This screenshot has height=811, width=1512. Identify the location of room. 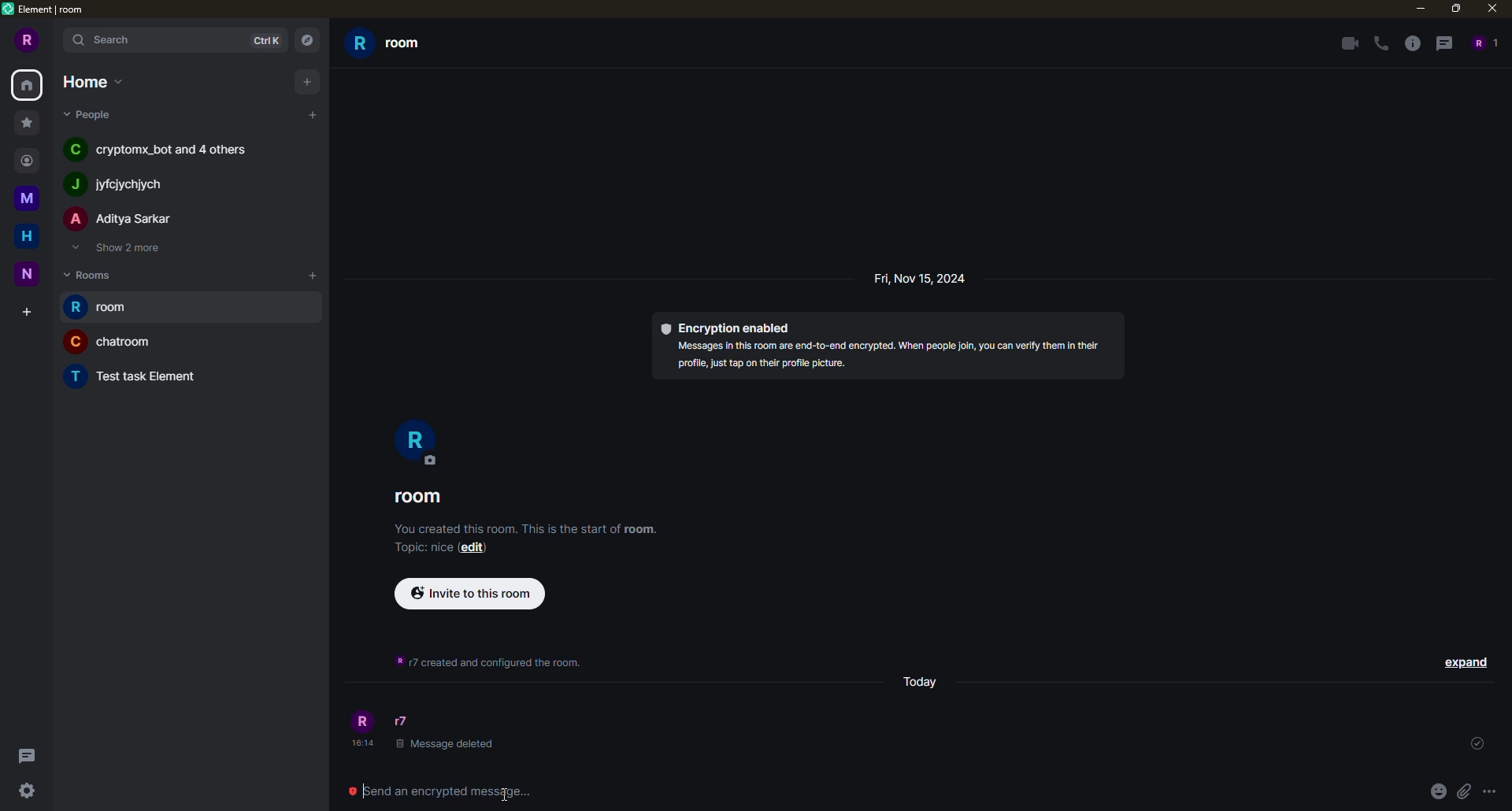
(137, 376).